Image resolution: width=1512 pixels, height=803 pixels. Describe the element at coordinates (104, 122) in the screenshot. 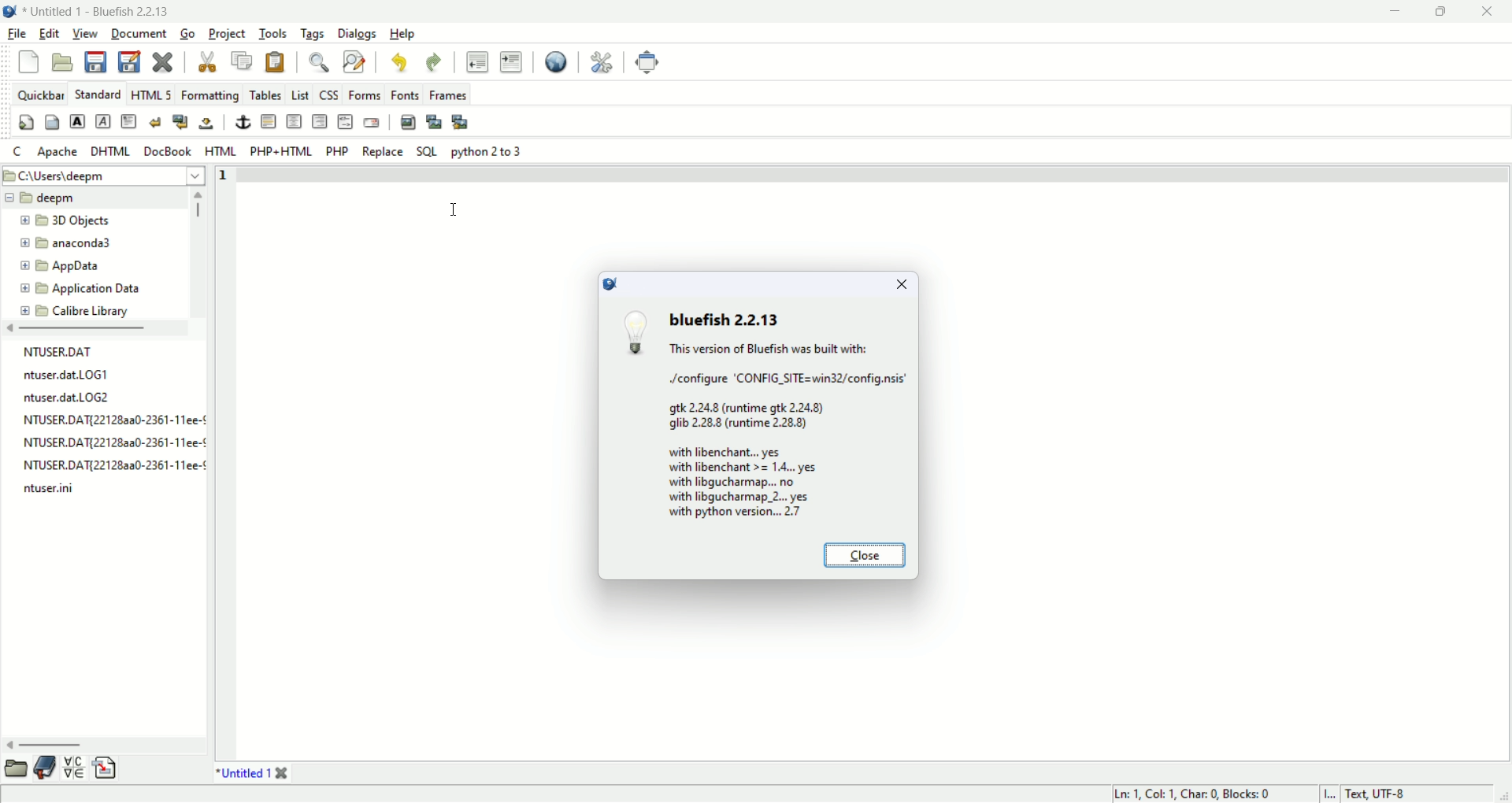

I see `emphasis` at that location.